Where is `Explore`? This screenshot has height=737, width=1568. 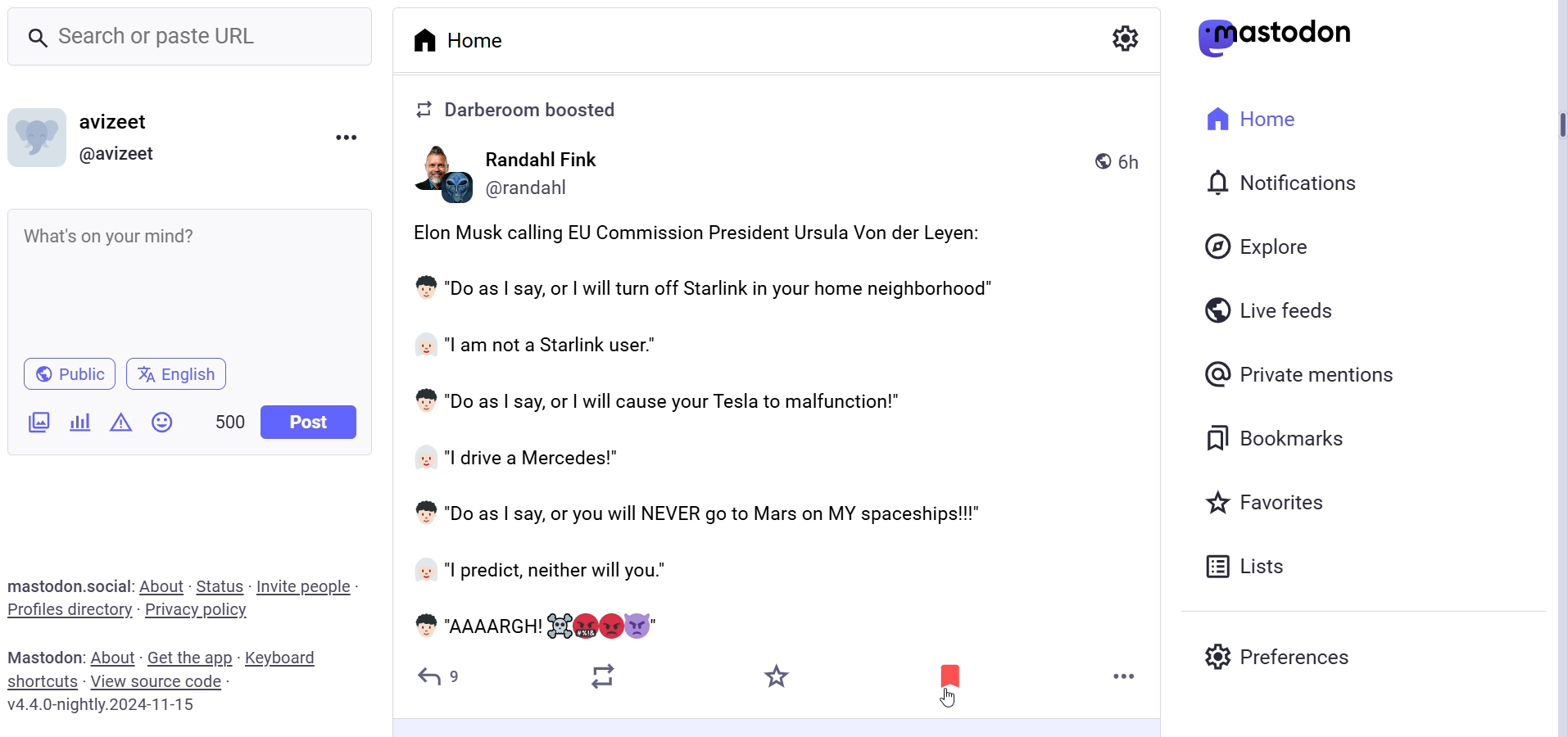
Explore is located at coordinates (1253, 247).